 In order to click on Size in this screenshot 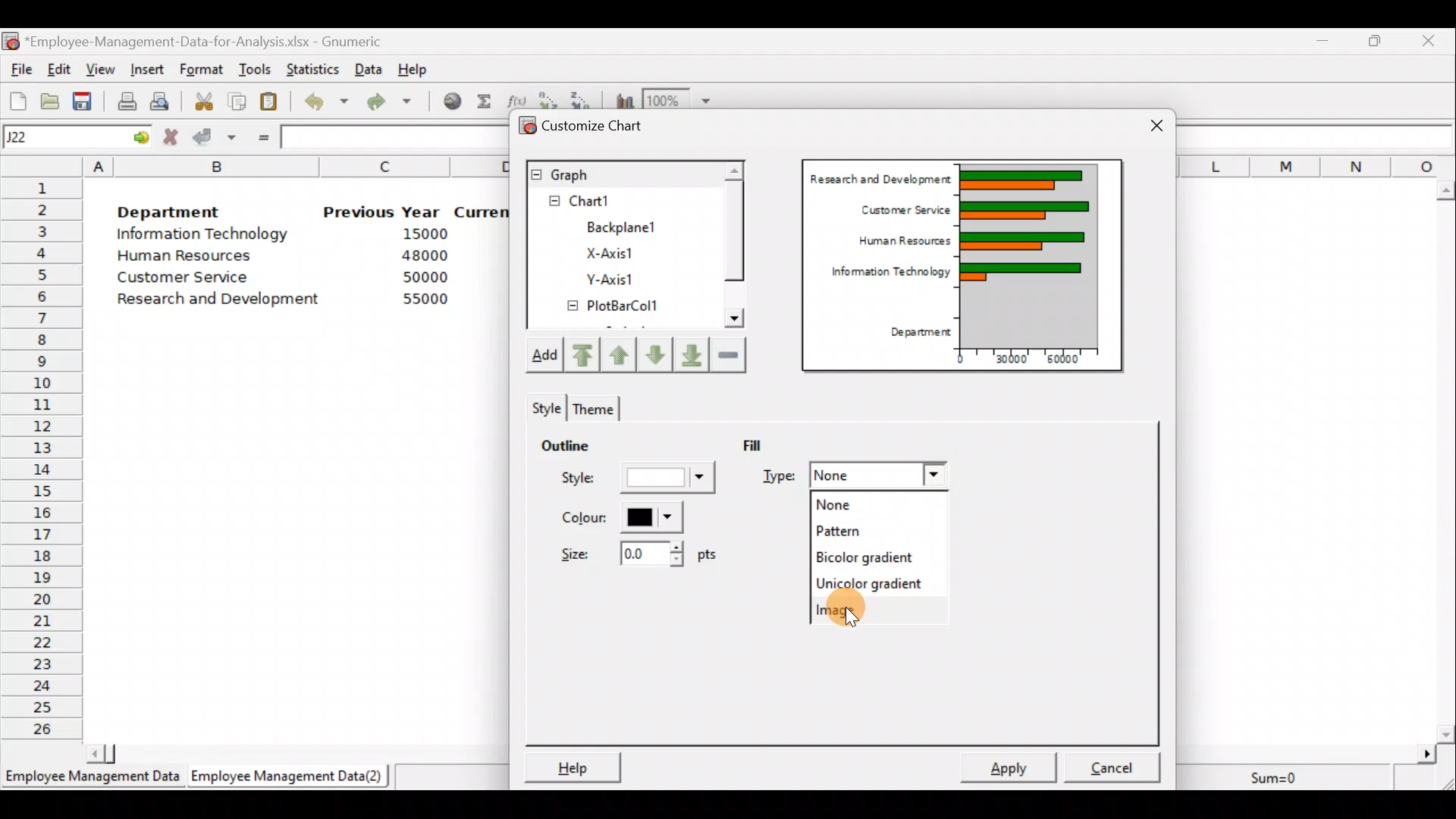, I will do `click(632, 558)`.